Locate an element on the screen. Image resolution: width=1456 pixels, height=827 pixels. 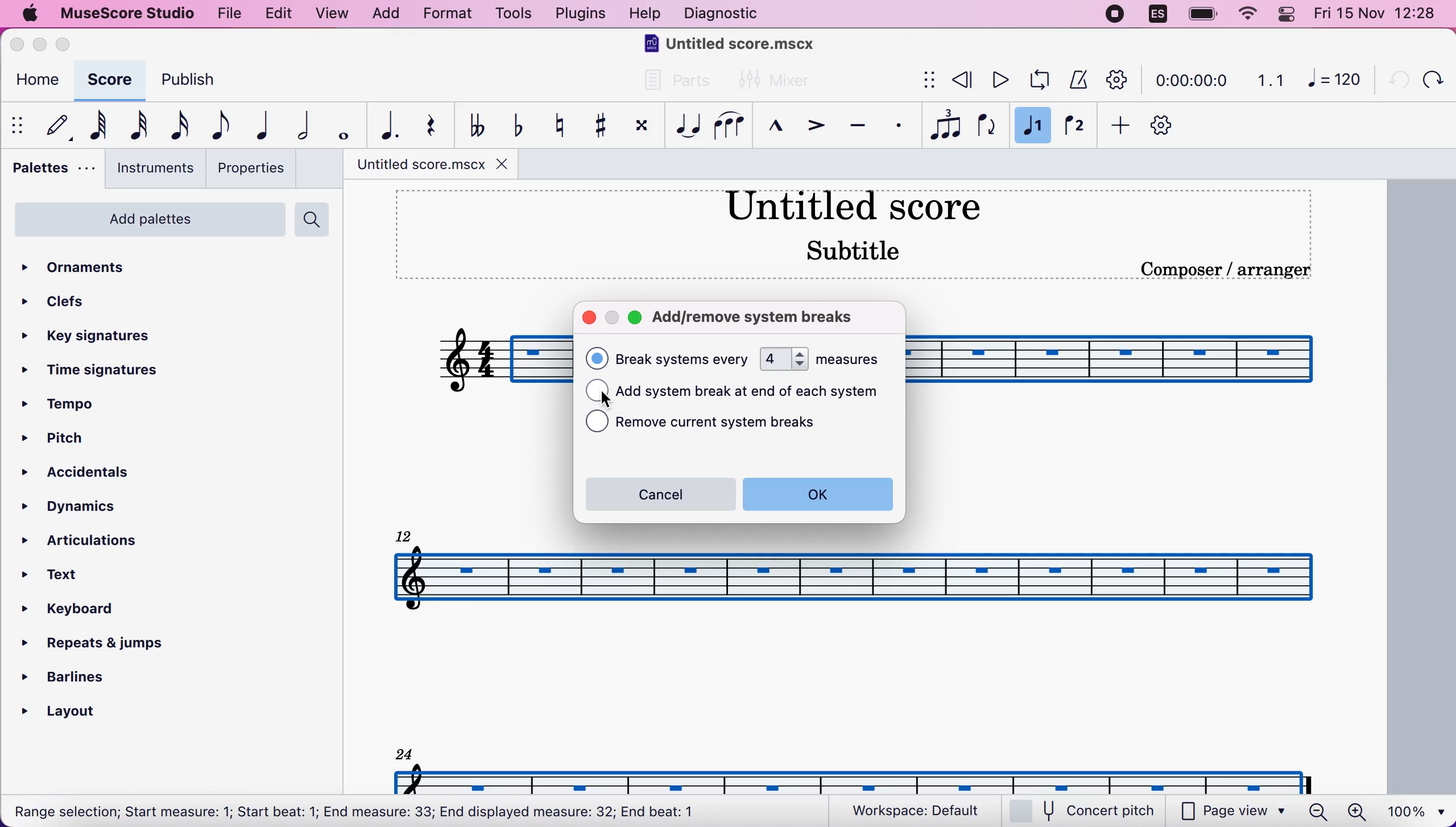
score is located at coordinates (855, 577).